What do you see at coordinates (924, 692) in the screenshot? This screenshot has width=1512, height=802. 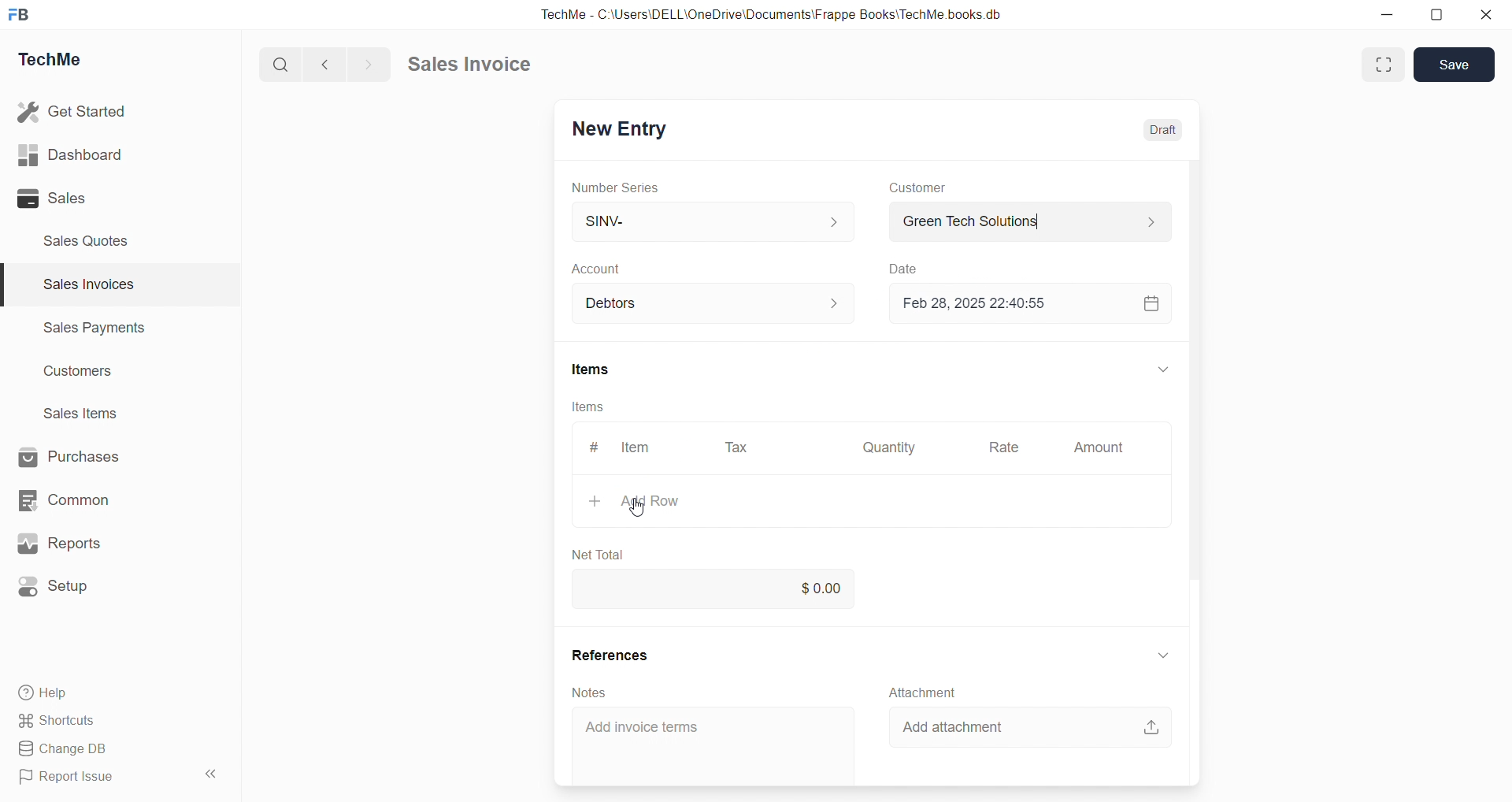 I see `Attachment` at bounding box center [924, 692].